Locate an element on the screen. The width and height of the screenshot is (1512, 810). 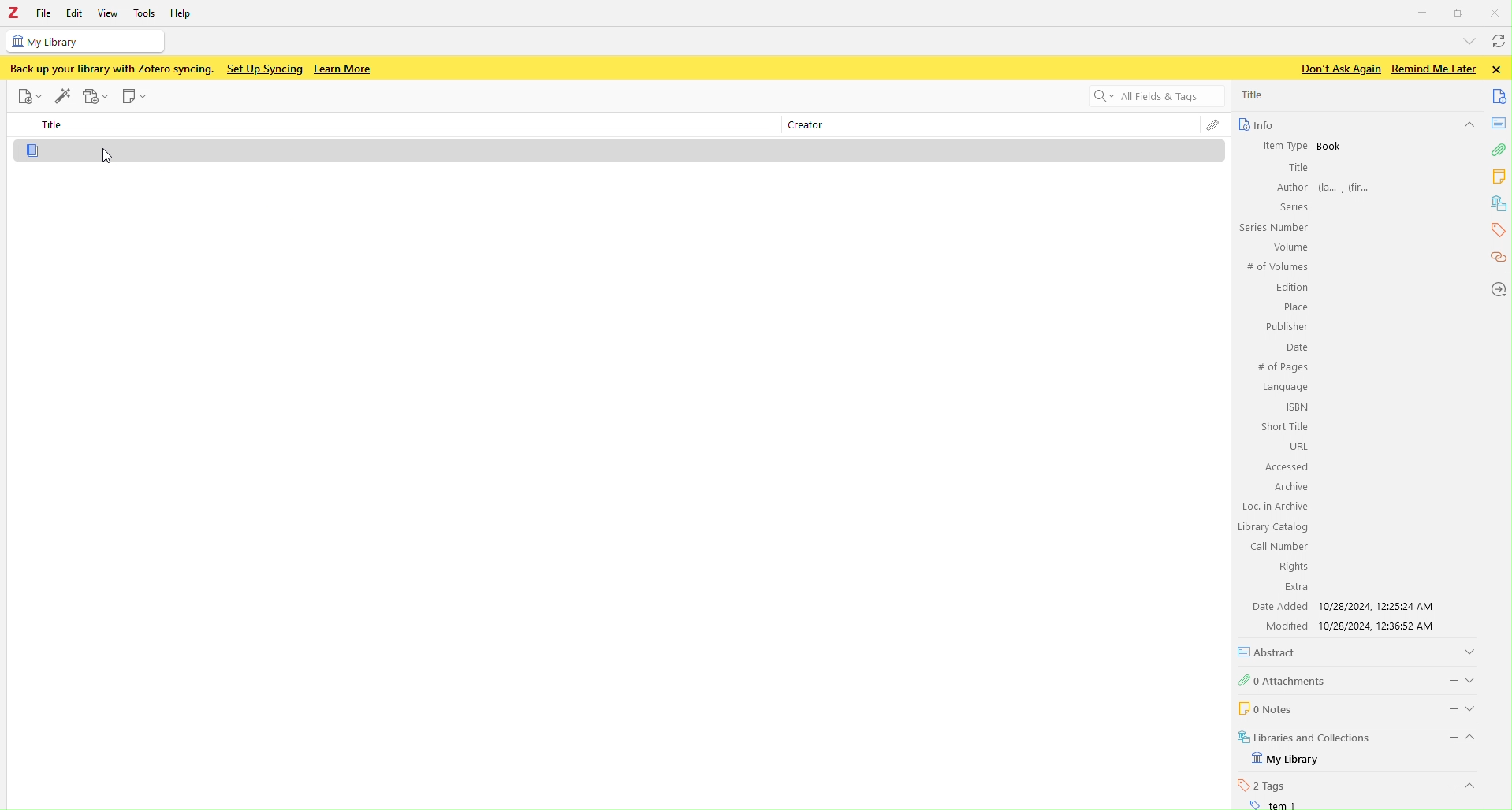
Series is located at coordinates (1291, 206).